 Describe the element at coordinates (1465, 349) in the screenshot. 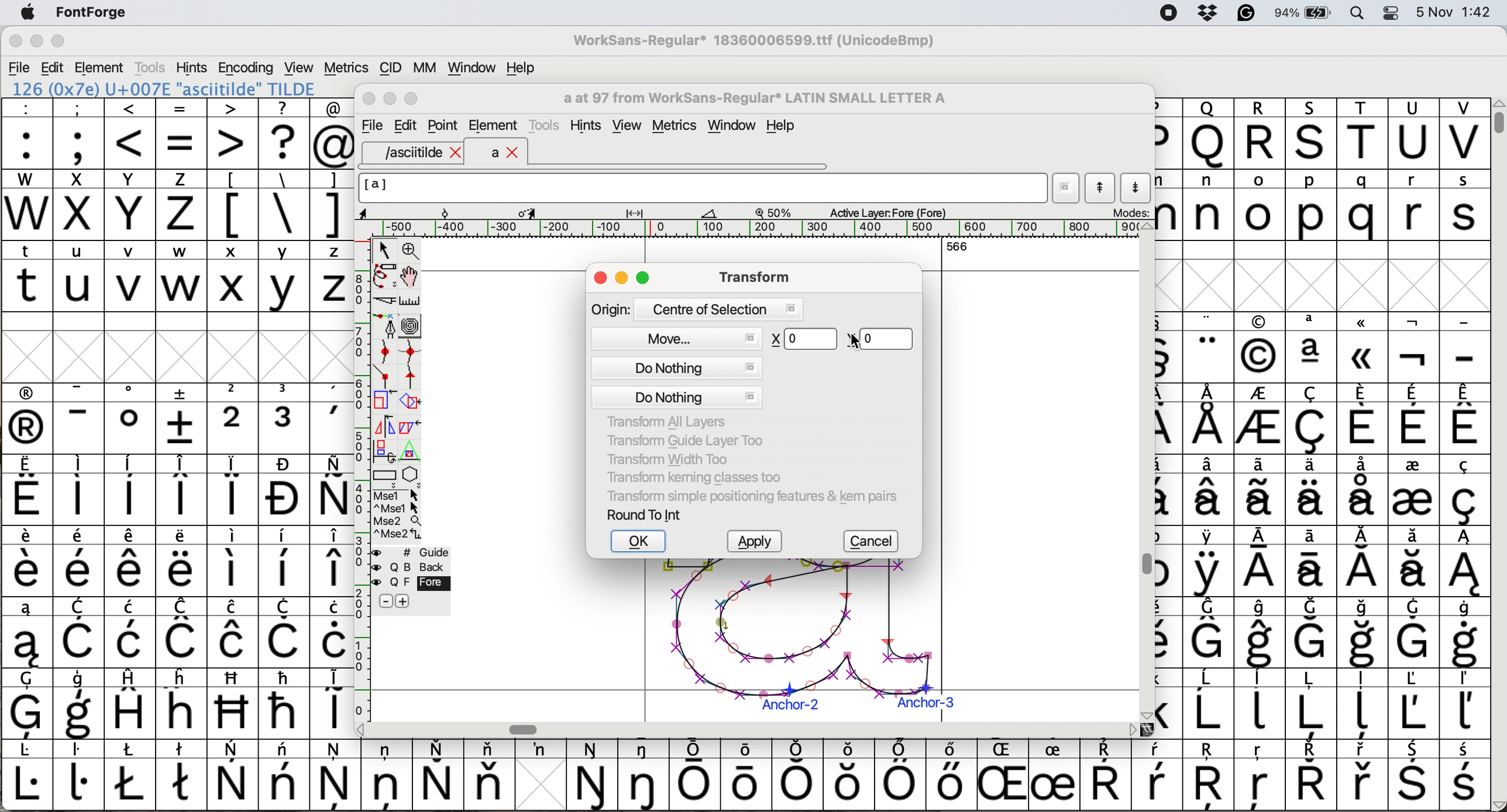

I see `-` at that location.